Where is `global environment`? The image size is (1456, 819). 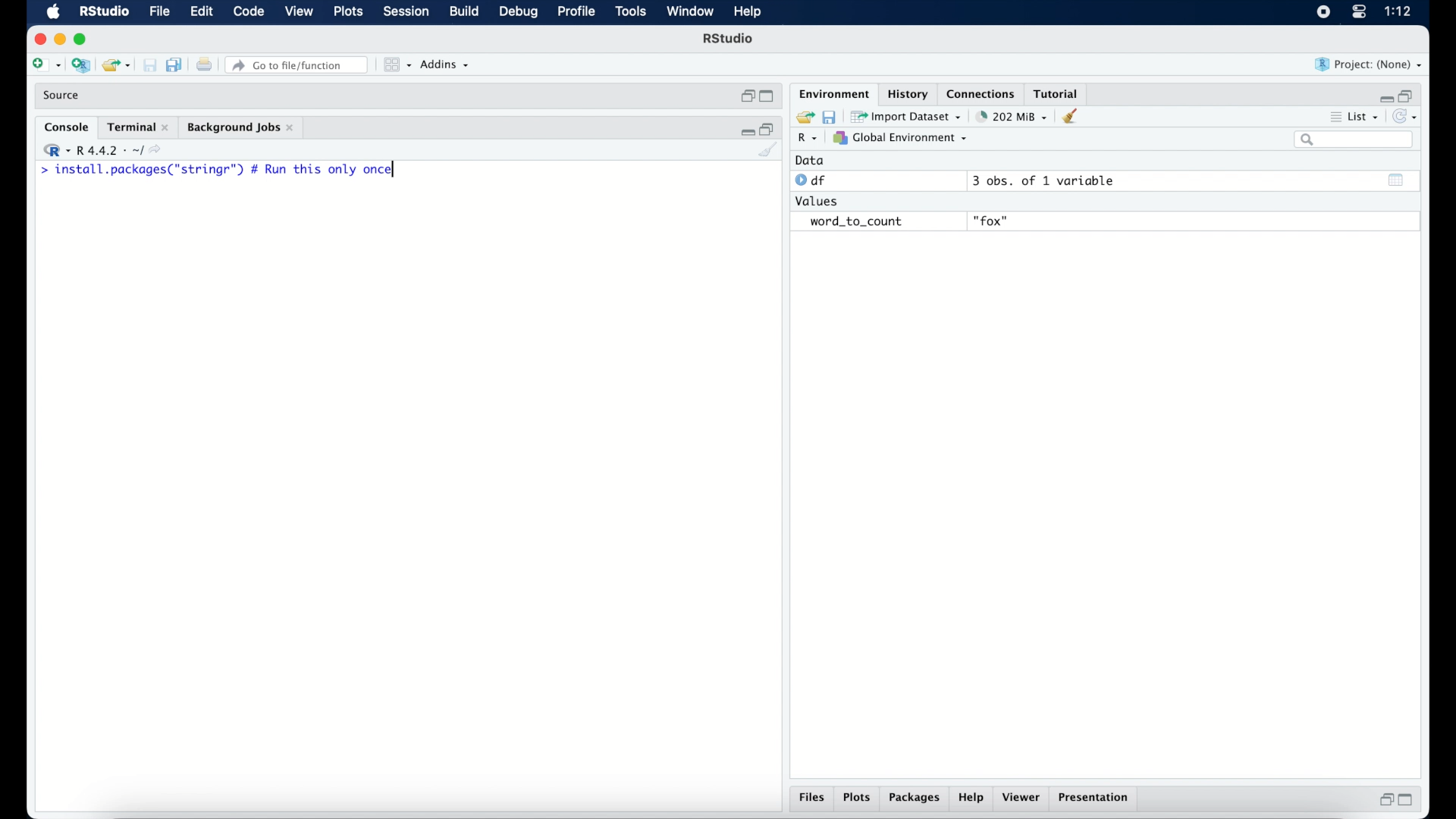
global environment is located at coordinates (900, 137).